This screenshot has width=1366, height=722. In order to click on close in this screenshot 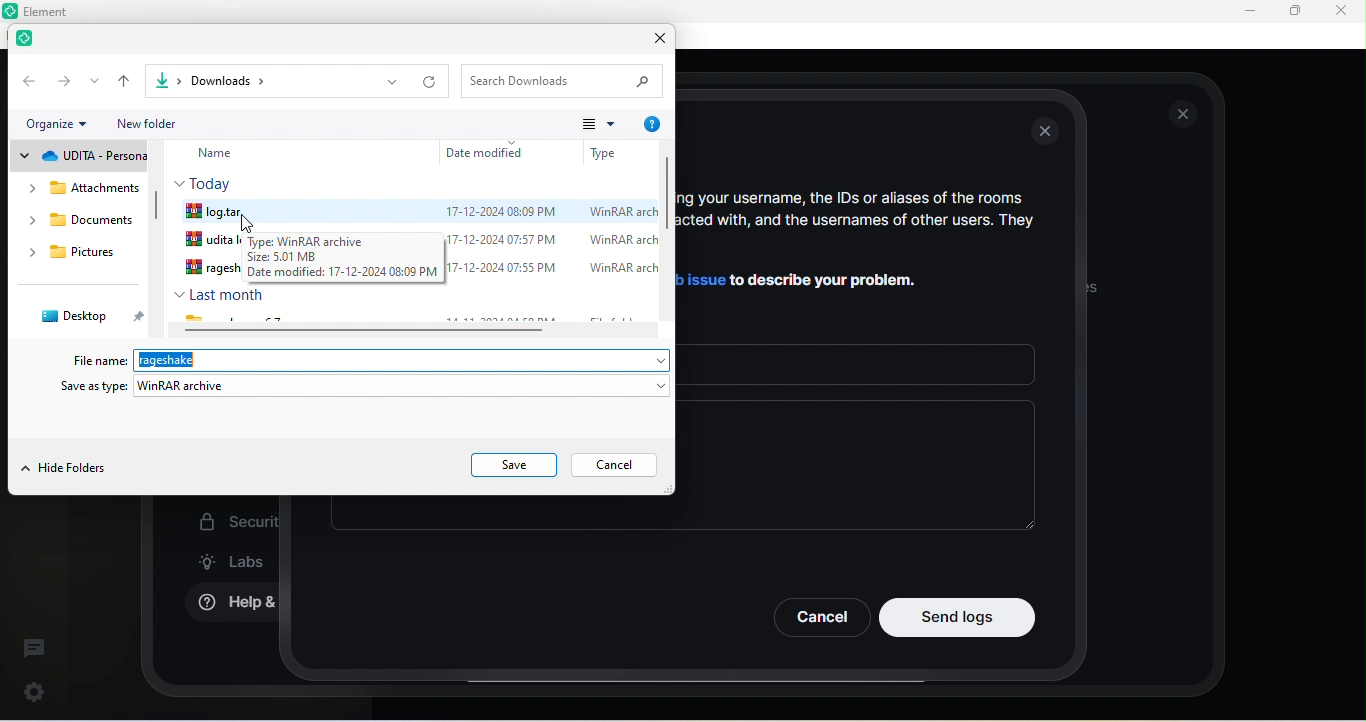, I will do `click(654, 41)`.